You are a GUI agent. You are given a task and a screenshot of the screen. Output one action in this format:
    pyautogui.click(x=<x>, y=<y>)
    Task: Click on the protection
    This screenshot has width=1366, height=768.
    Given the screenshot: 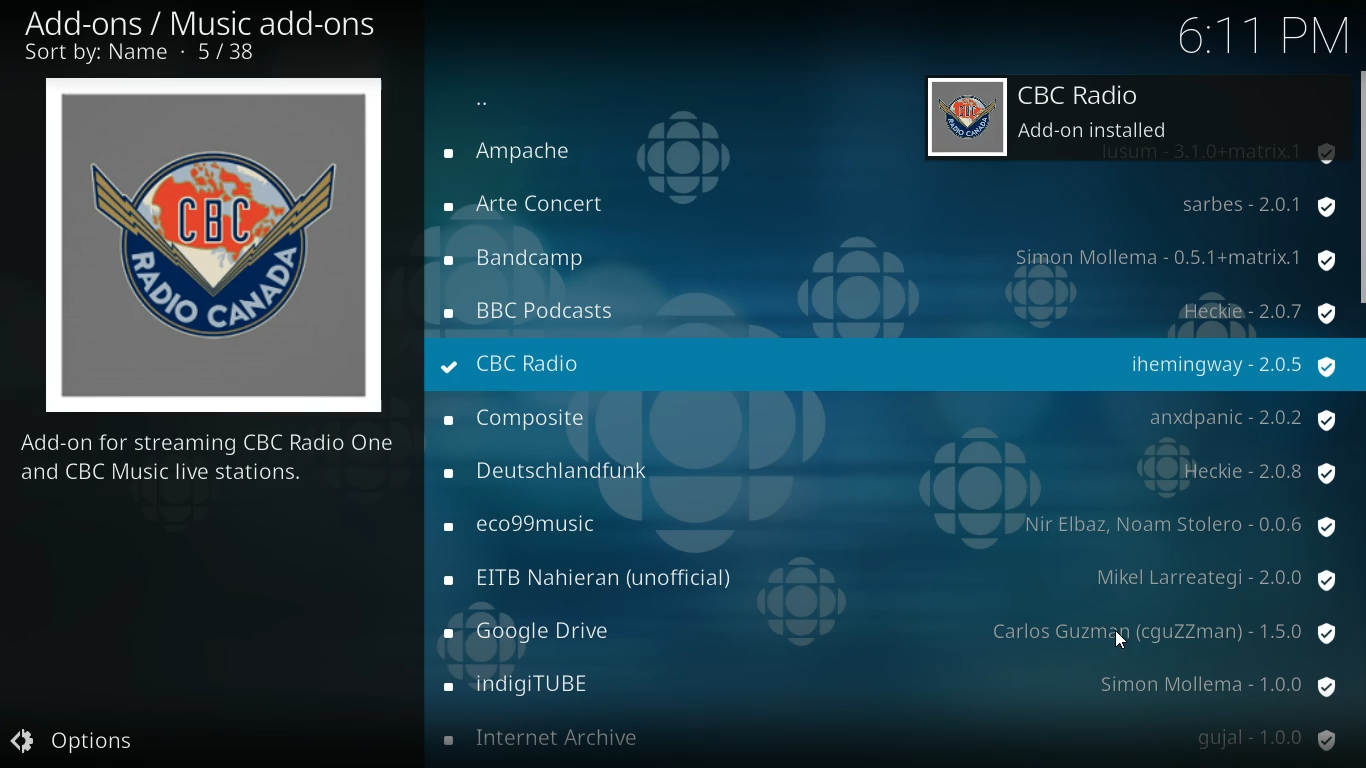 What is the action you would take?
    pyautogui.click(x=1259, y=314)
    